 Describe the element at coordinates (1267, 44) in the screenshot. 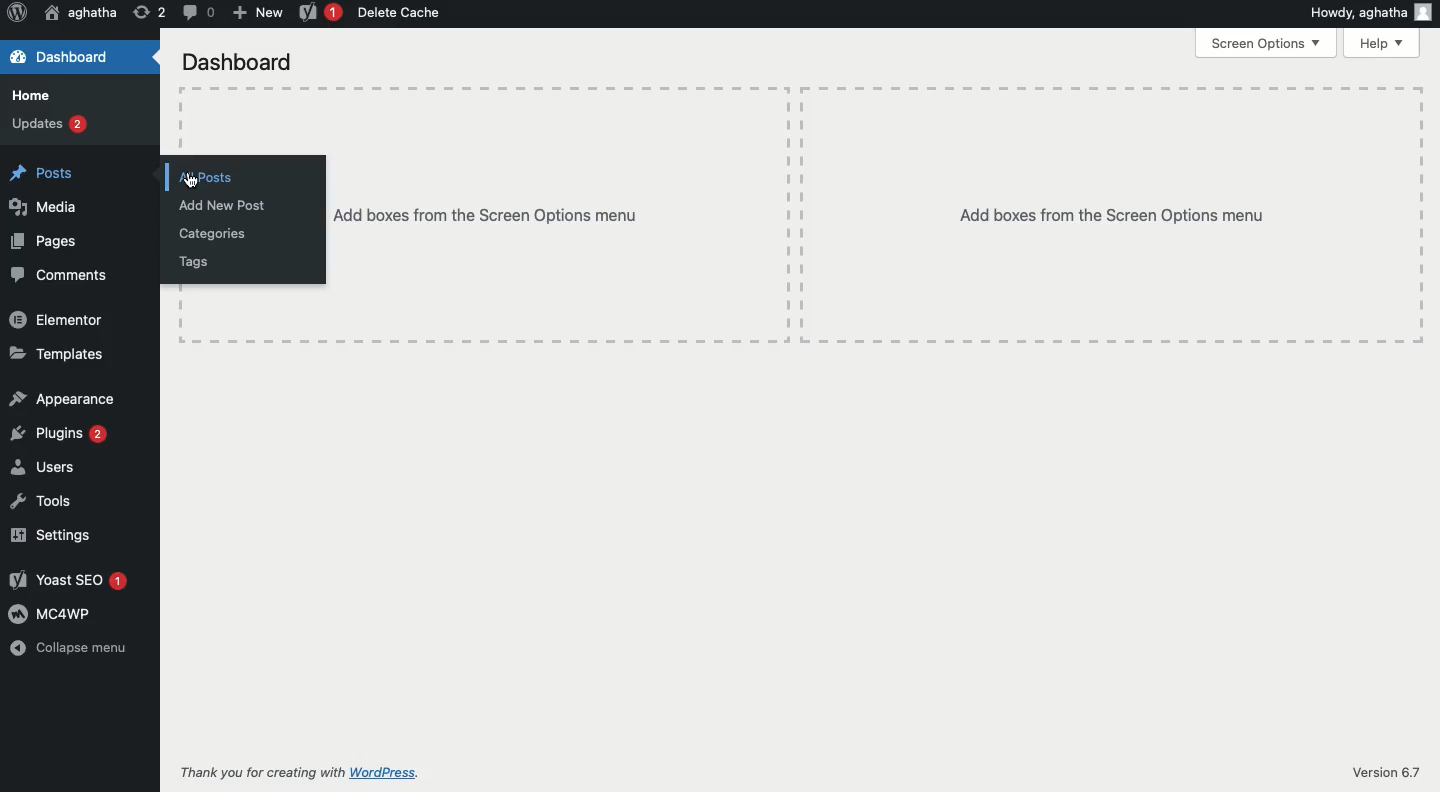

I see `Screen options` at that location.